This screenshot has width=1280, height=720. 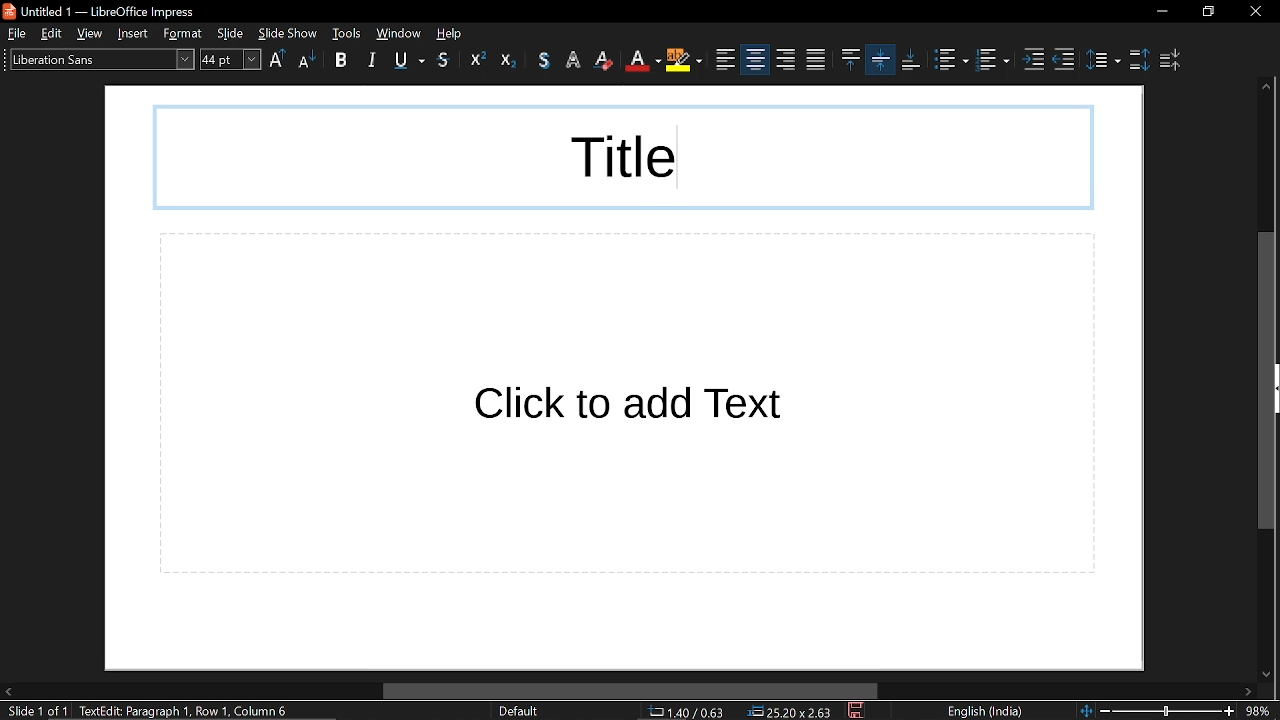 I want to click on untitled 1 - libreoffice impress, so click(x=103, y=10).